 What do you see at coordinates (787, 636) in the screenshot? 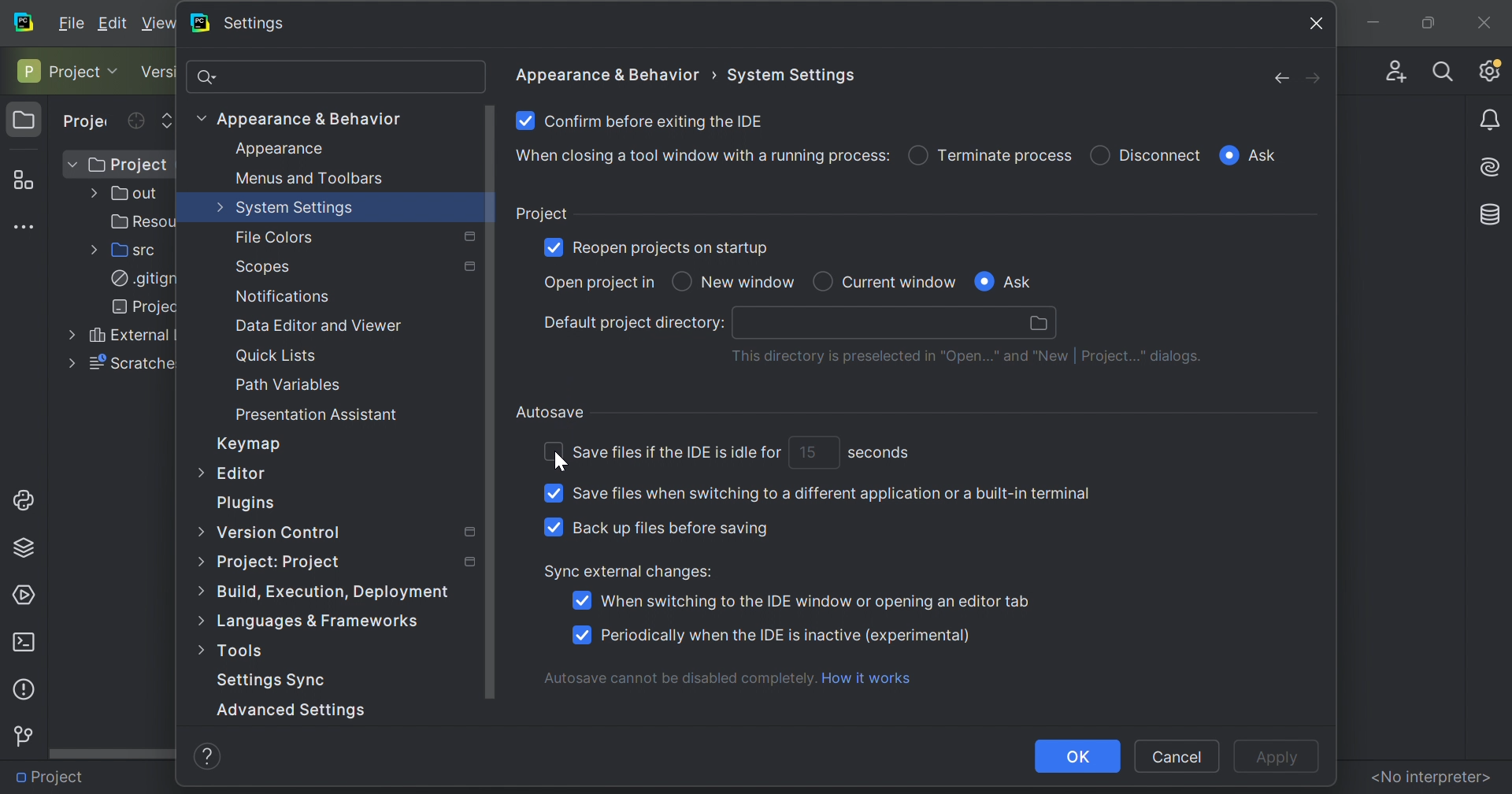
I see `Periodically when the IDE is inactive (experimental)` at bounding box center [787, 636].